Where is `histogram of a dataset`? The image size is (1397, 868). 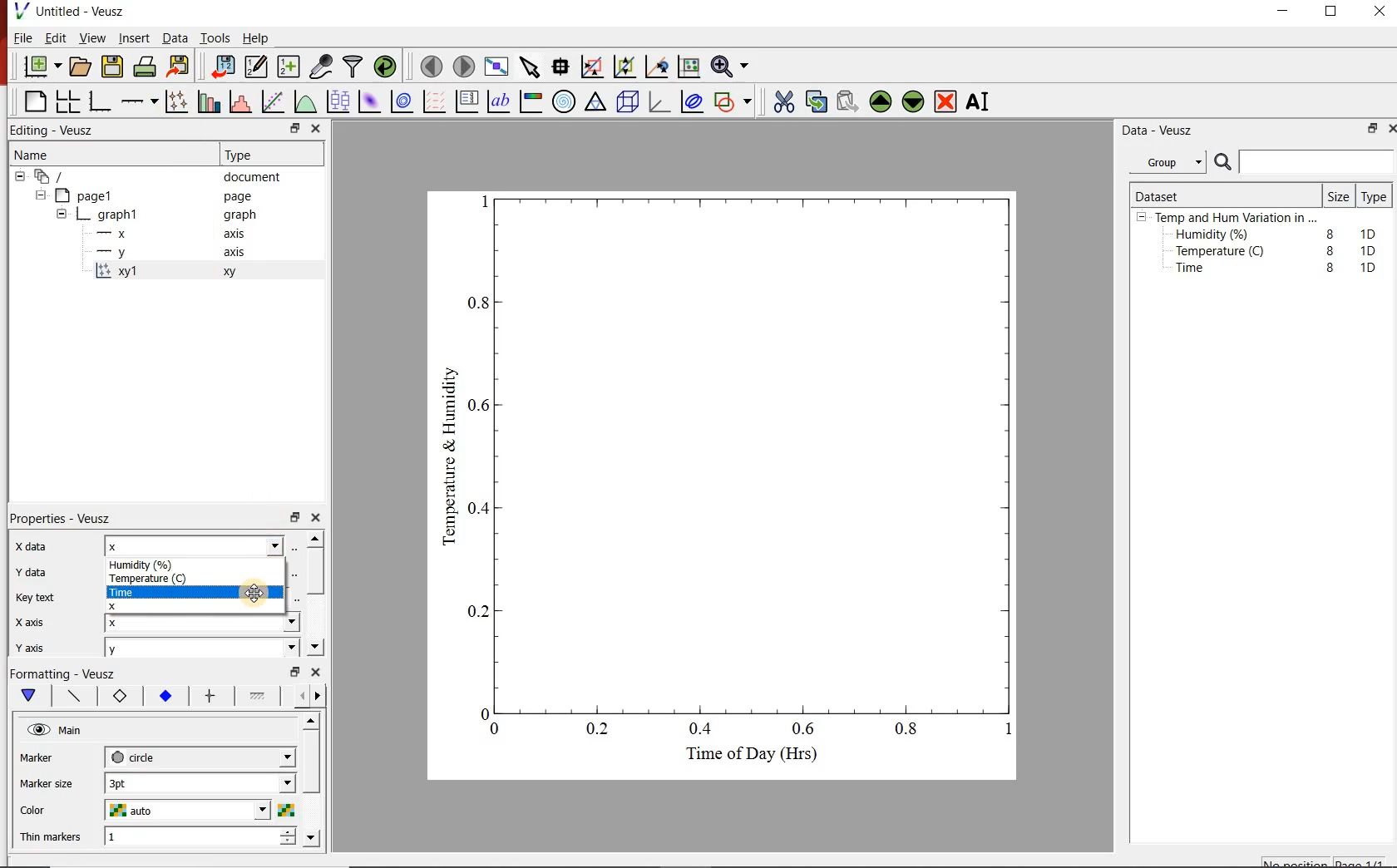 histogram of a dataset is located at coordinates (243, 101).